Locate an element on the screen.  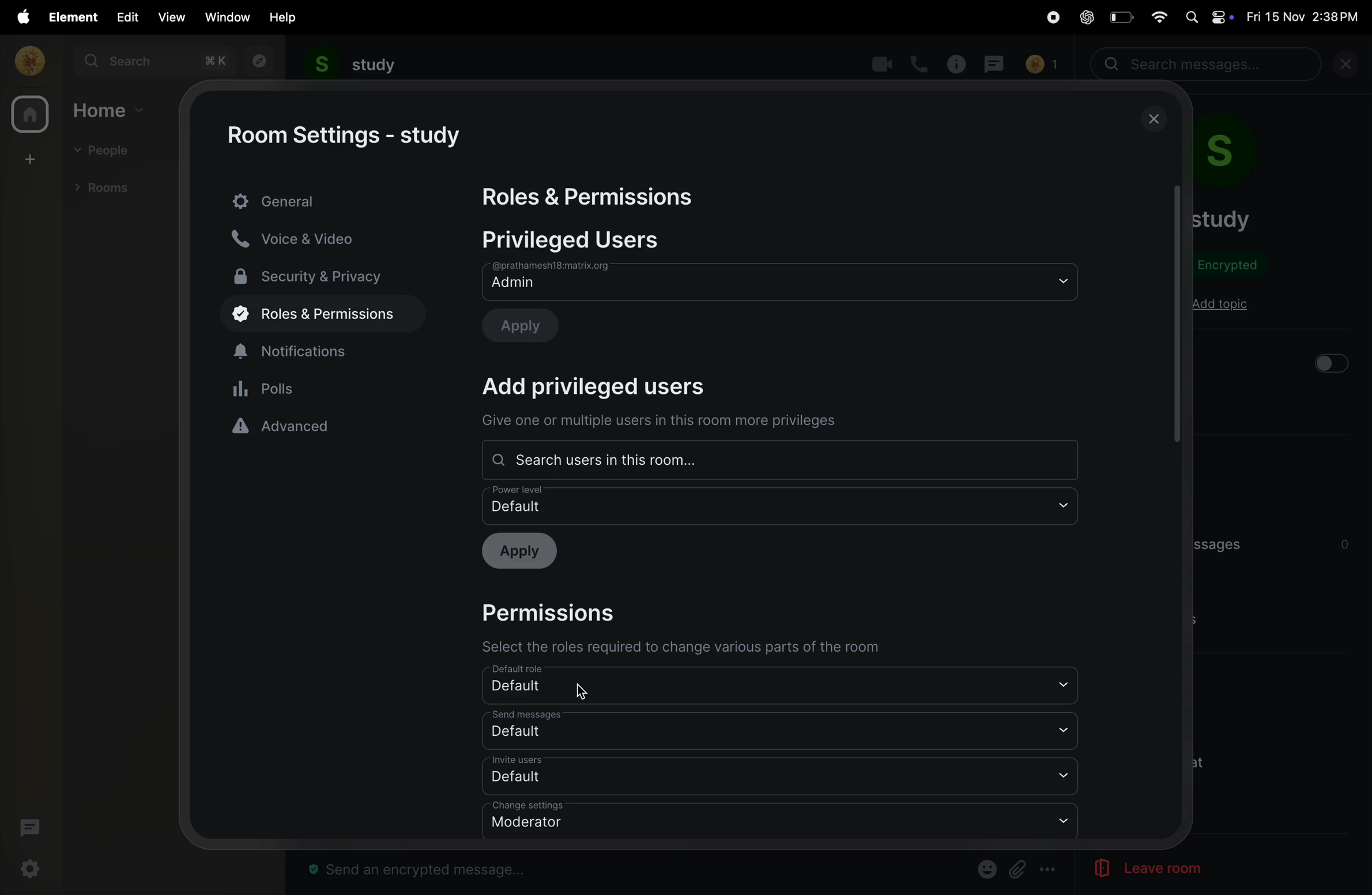
notifications is located at coordinates (325, 349).